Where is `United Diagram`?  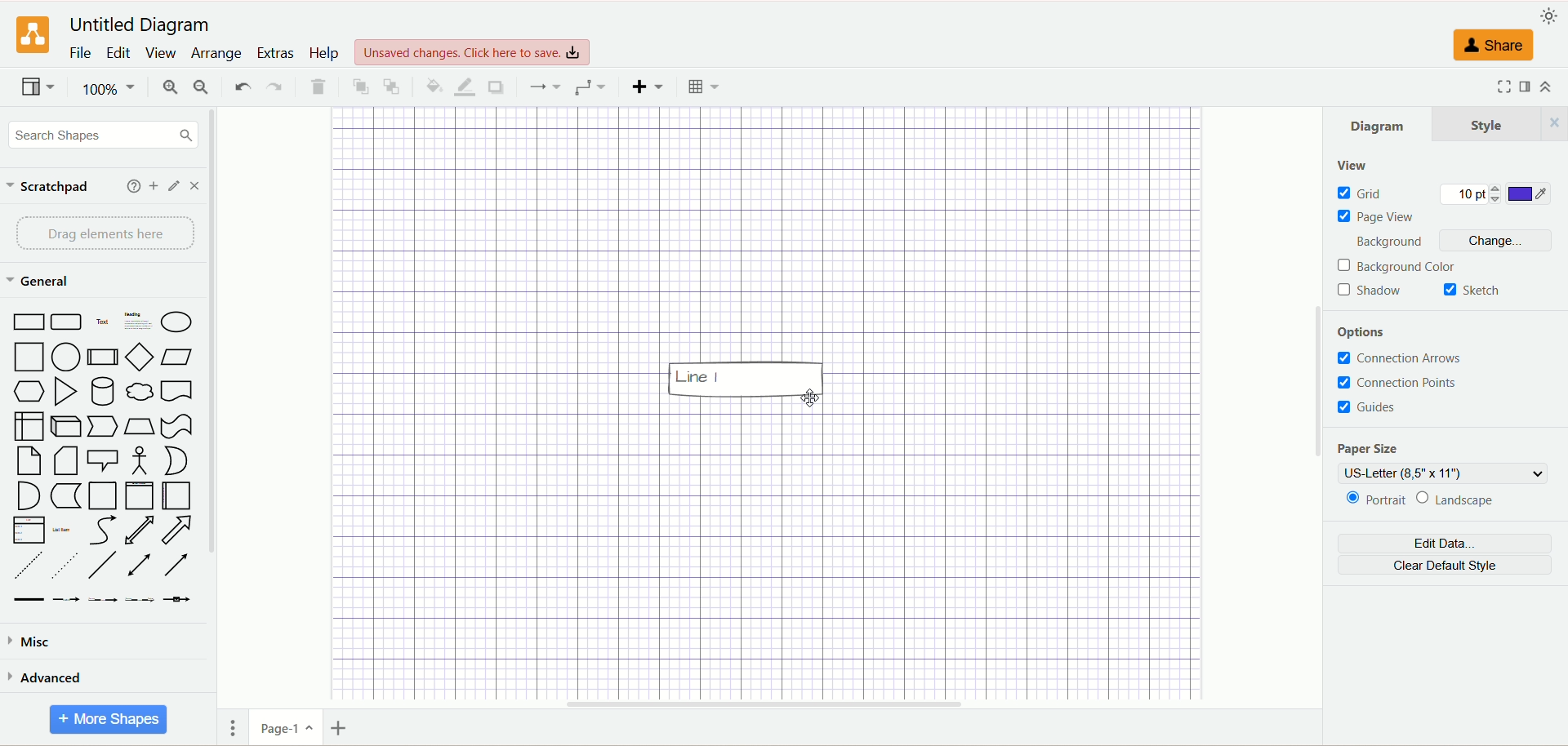 United Diagram is located at coordinates (140, 25).